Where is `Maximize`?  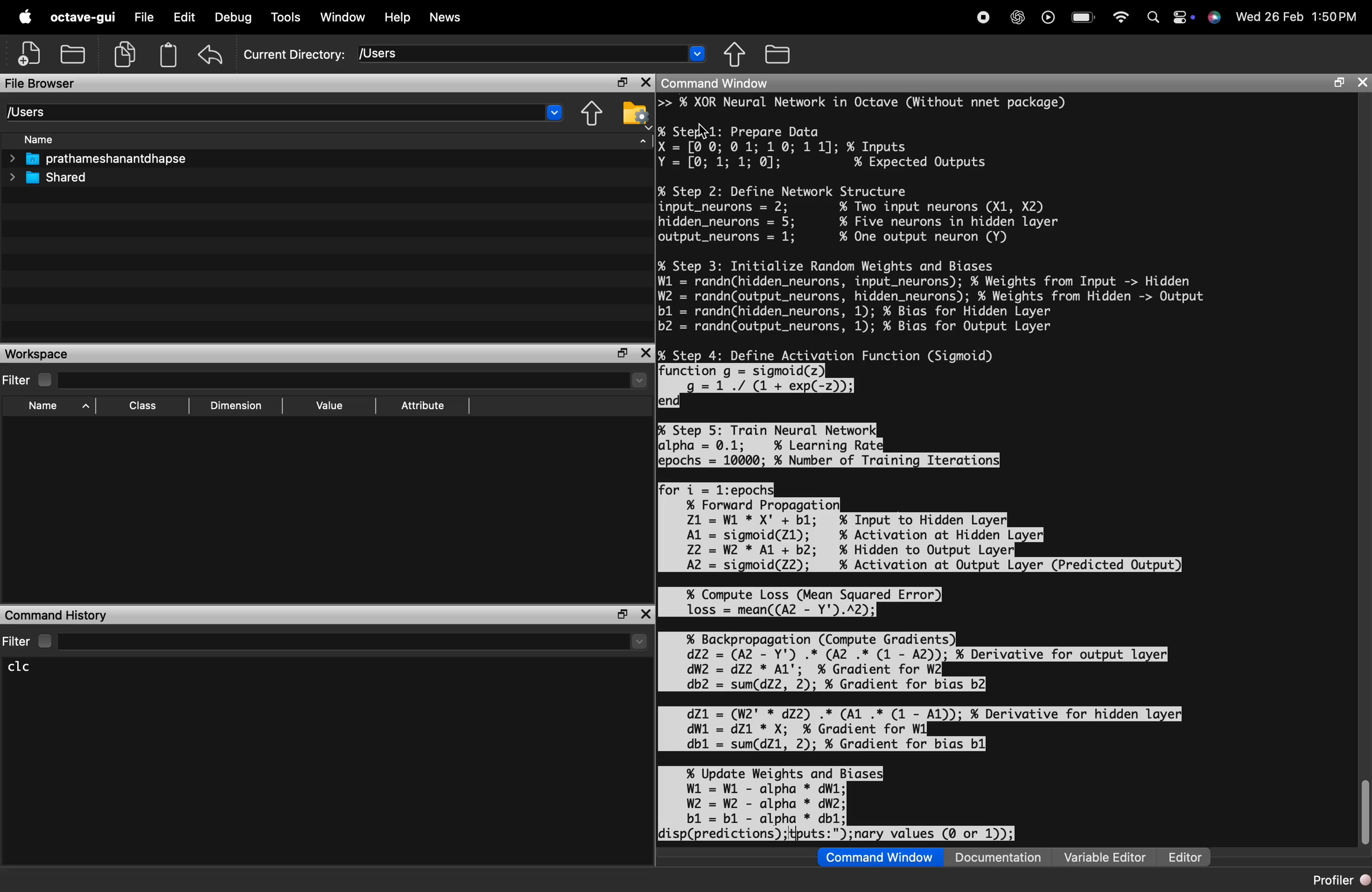 Maximize is located at coordinates (624, 354).